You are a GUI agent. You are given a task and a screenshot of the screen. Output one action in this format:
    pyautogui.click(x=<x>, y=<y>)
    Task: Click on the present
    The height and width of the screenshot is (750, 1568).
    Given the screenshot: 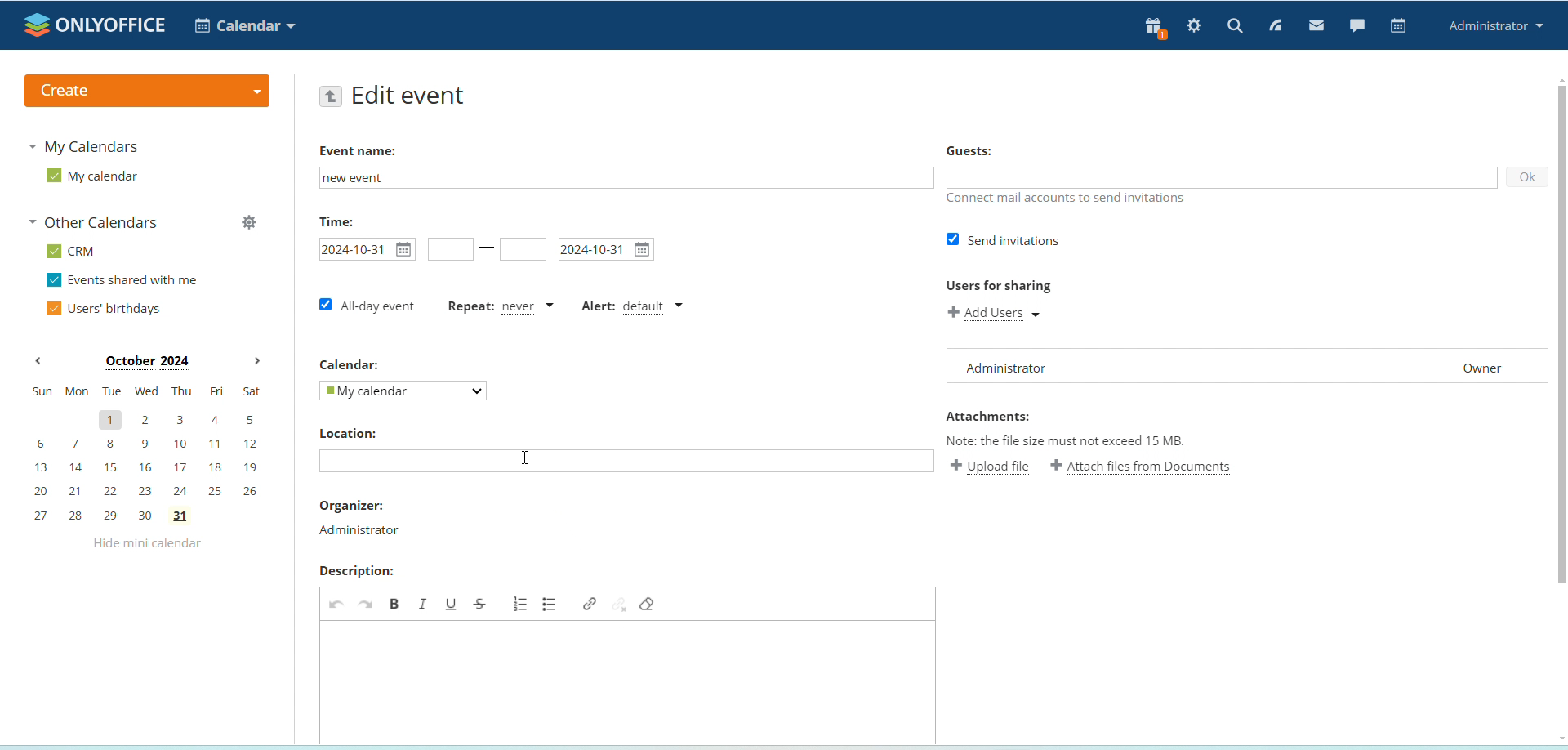 What is the action you would take?
    pyautogui.click(x=1151, y=29)
    